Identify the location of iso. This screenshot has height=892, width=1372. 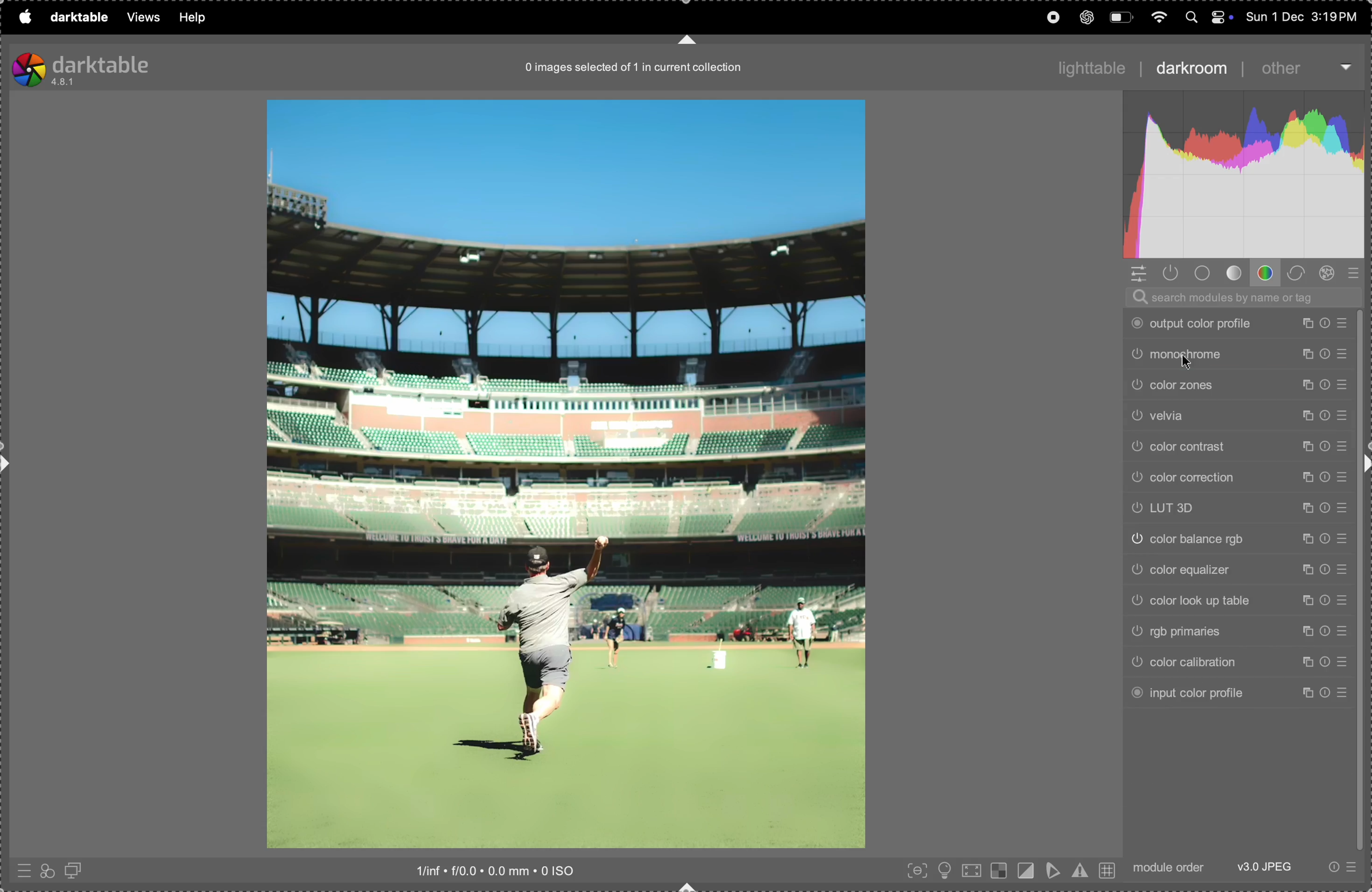
(497, 870).